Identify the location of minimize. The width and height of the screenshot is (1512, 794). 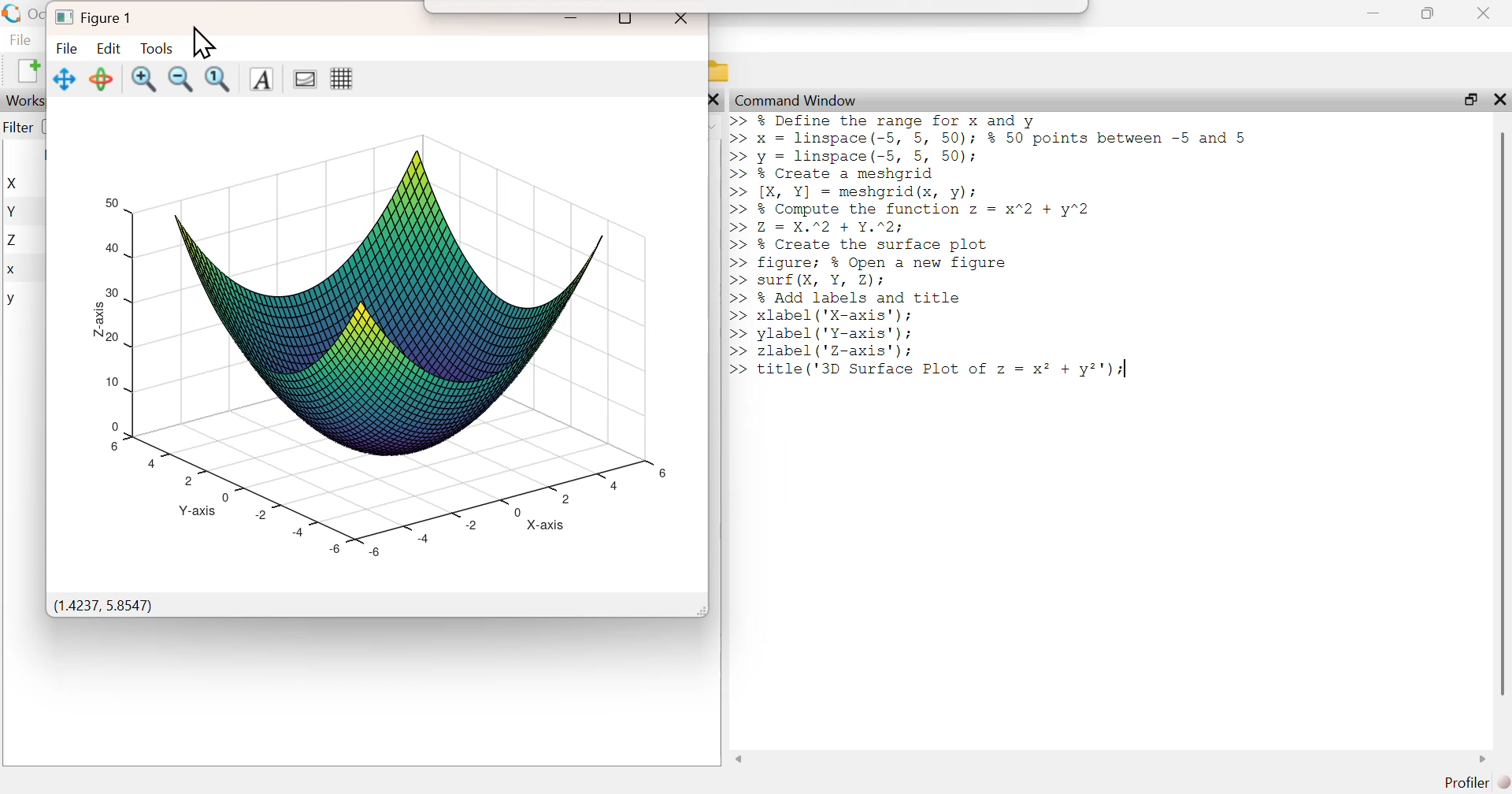
(570, 17).